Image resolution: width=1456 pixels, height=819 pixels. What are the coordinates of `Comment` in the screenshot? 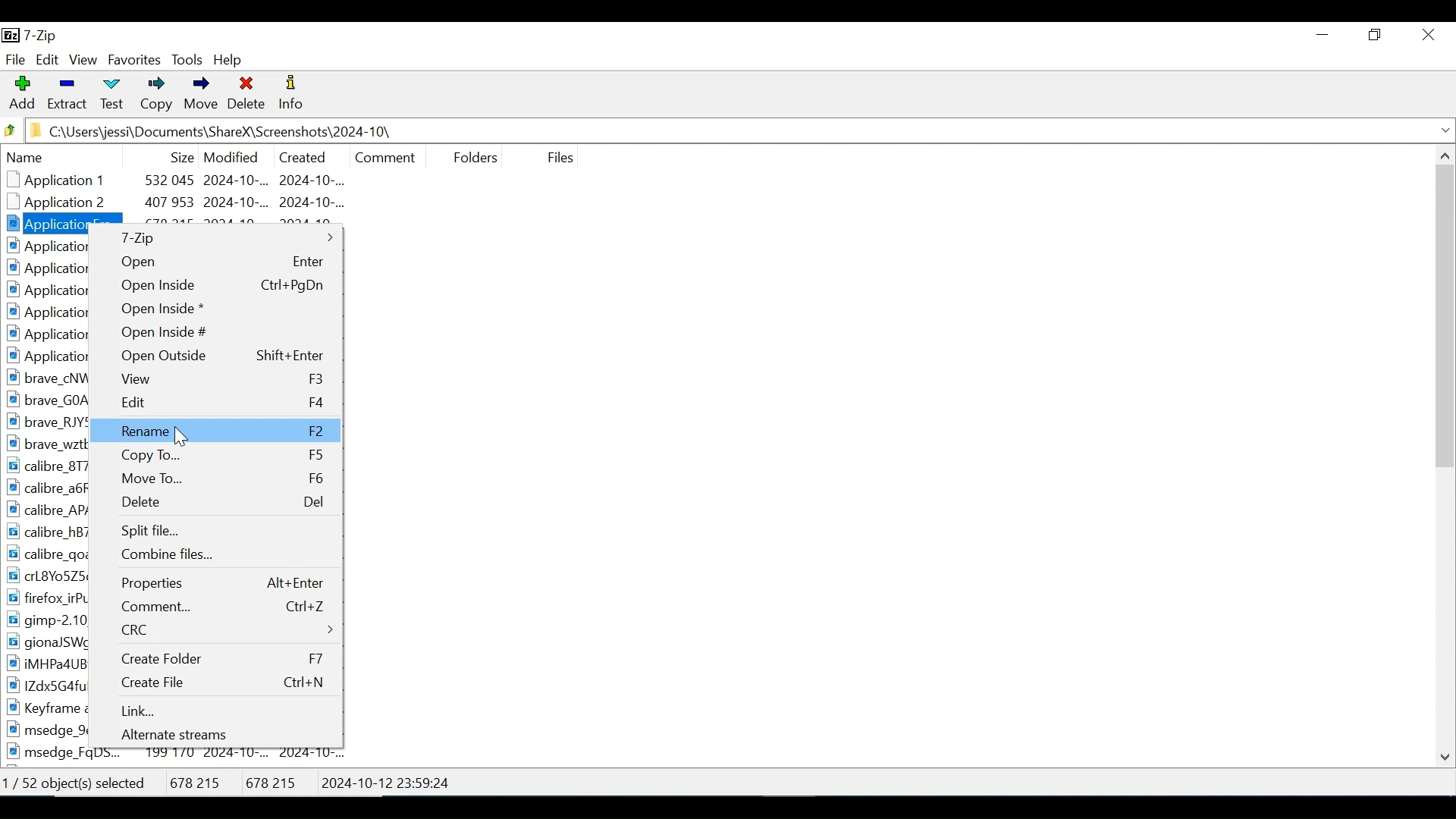 It's located at (215, 607).